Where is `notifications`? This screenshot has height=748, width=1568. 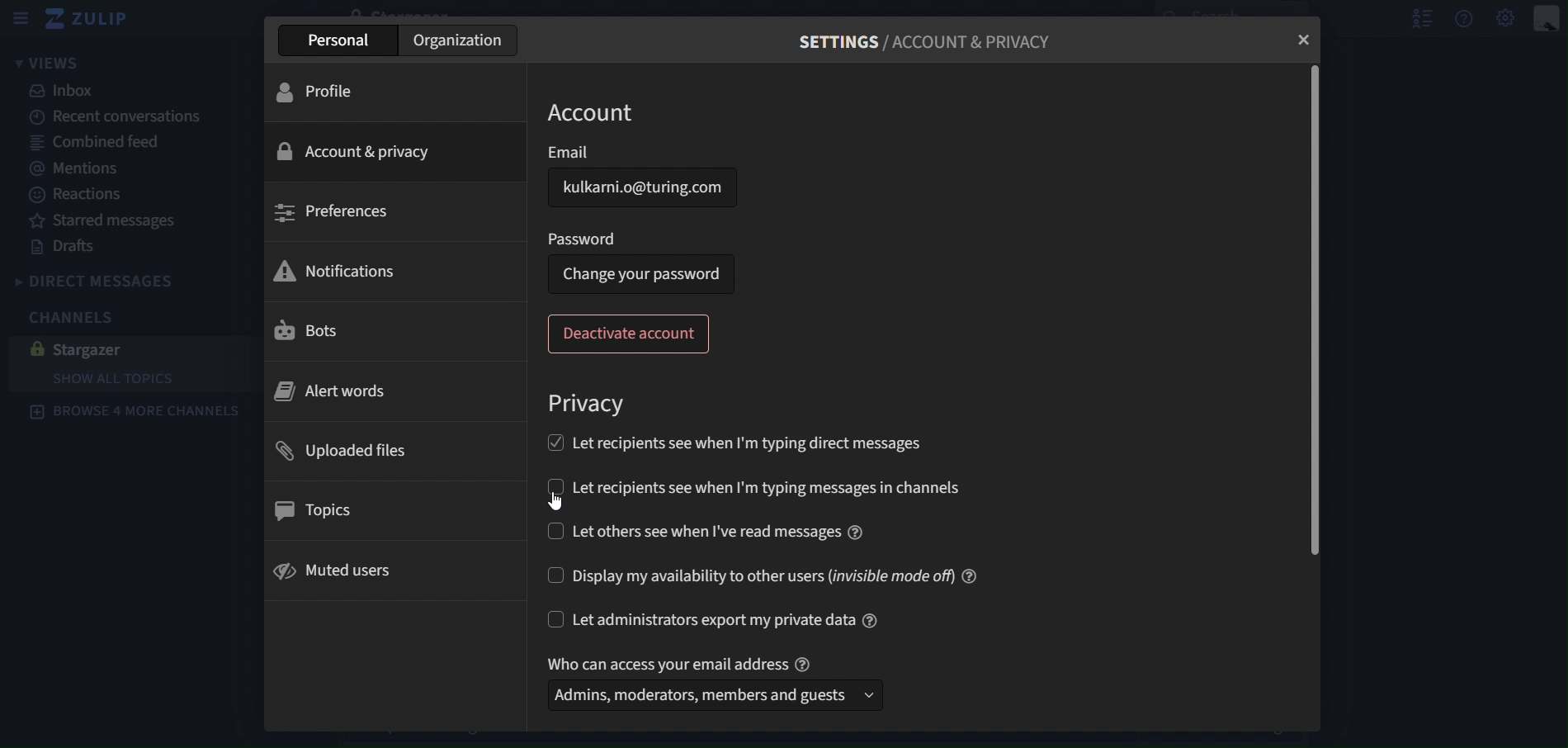 notifications is located at coordinates (341, 272).